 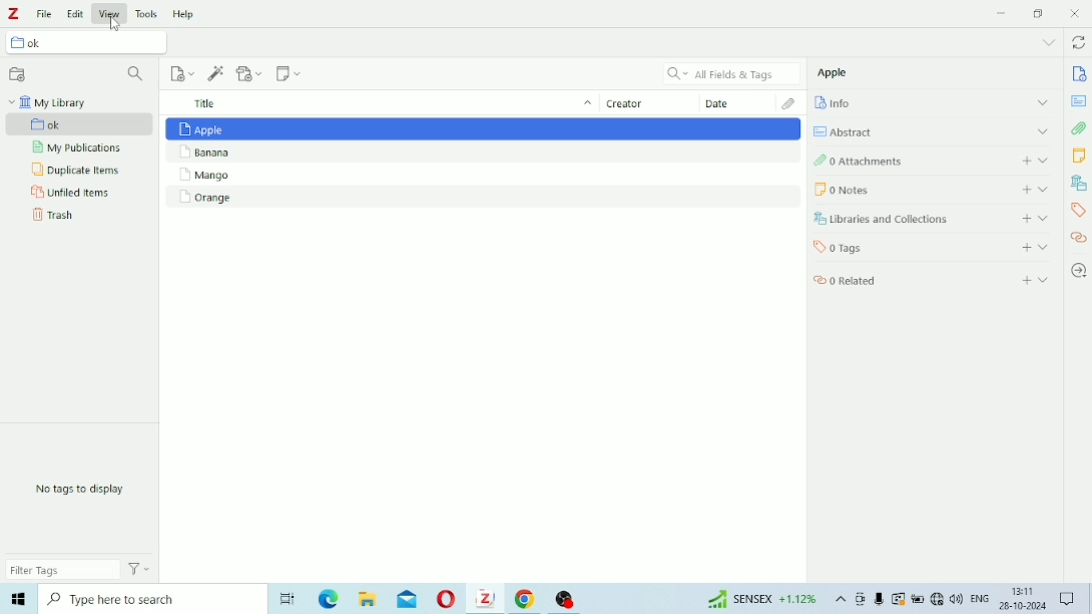 What do you see at coordinates (1046, 189) in the screenshot?
I see `expand` at bounding box center [1046, 189].